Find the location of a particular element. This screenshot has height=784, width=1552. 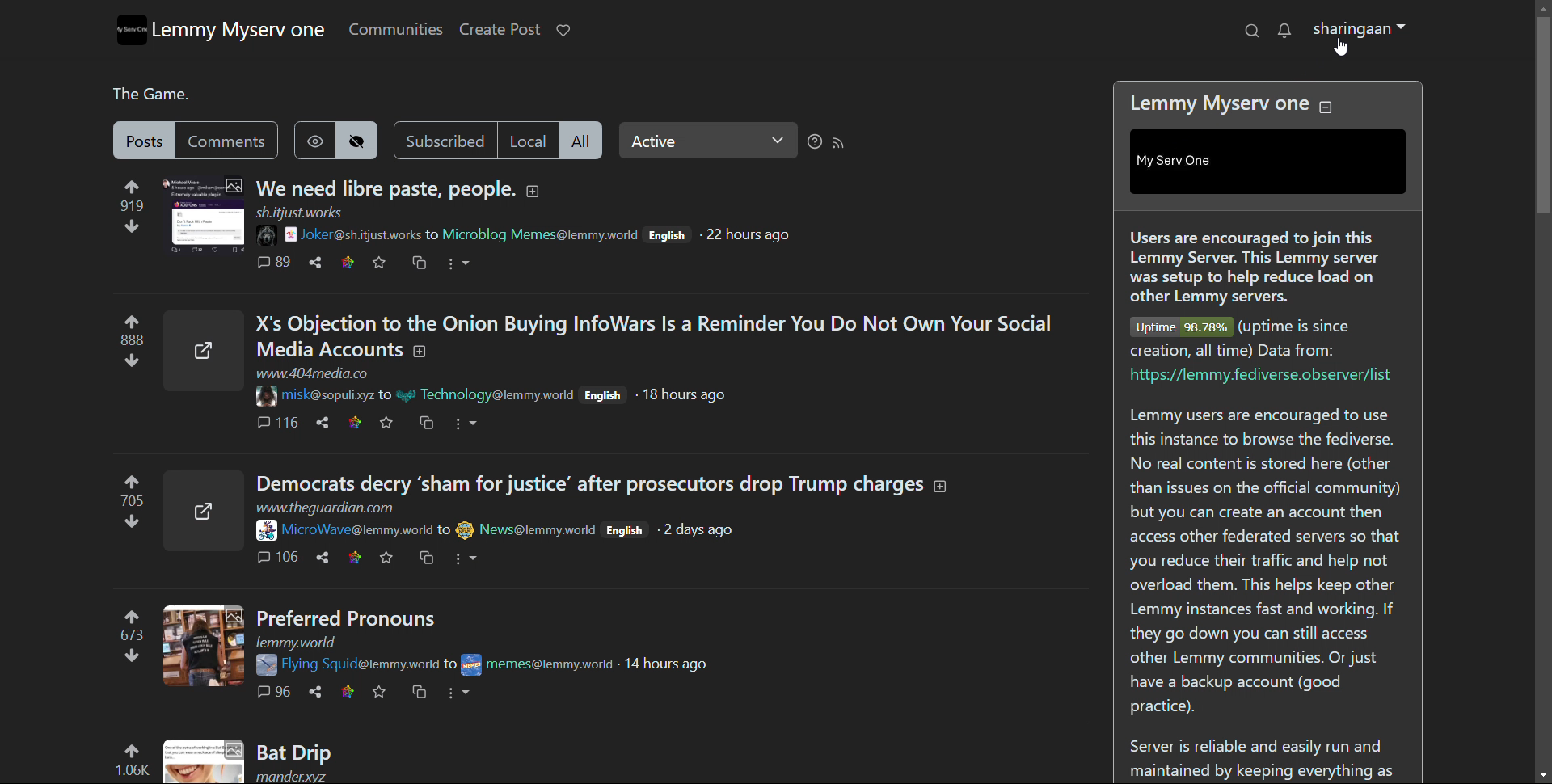

English is located at coordinates (667, 235).